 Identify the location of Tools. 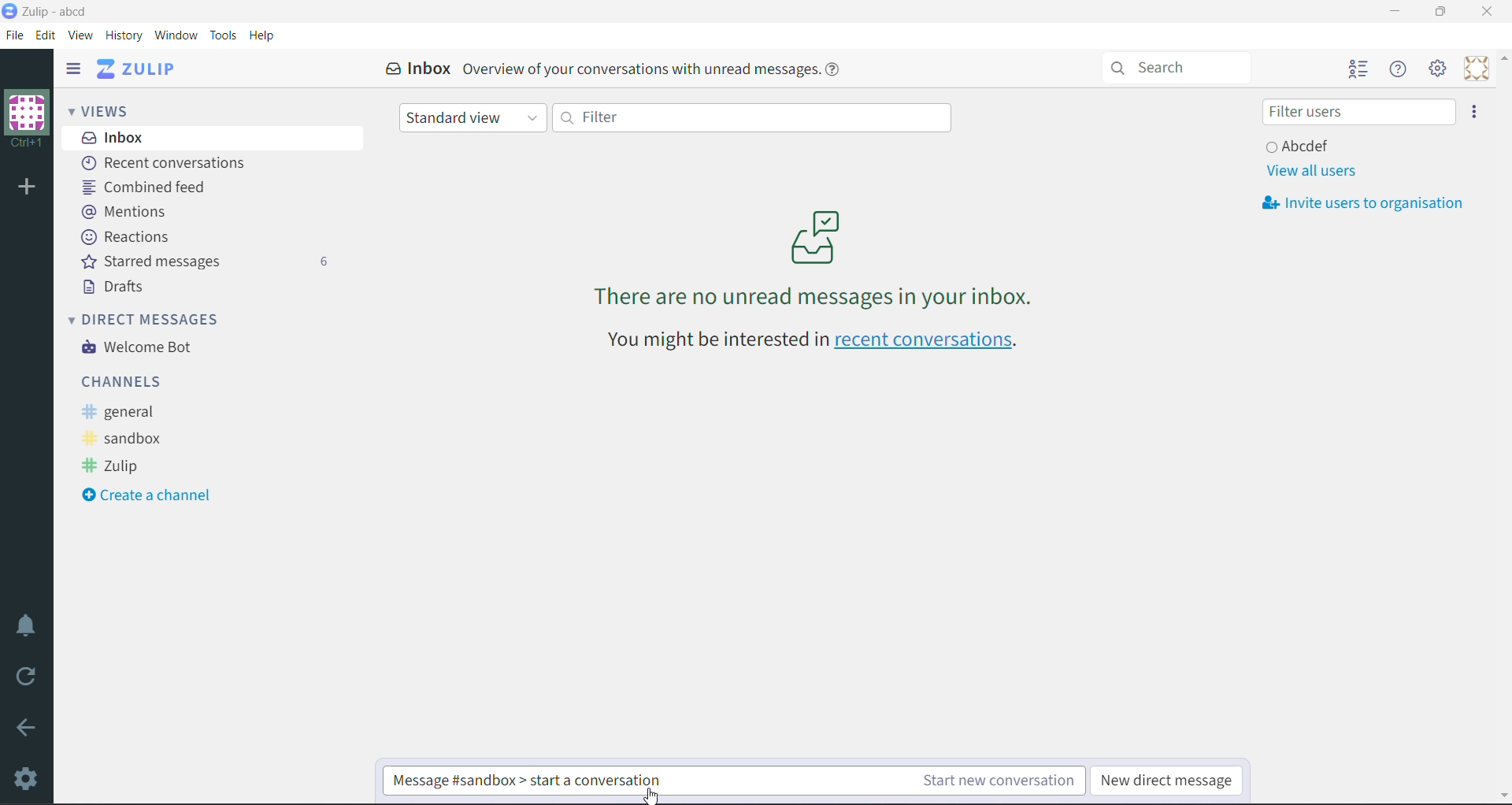
(224, 35).